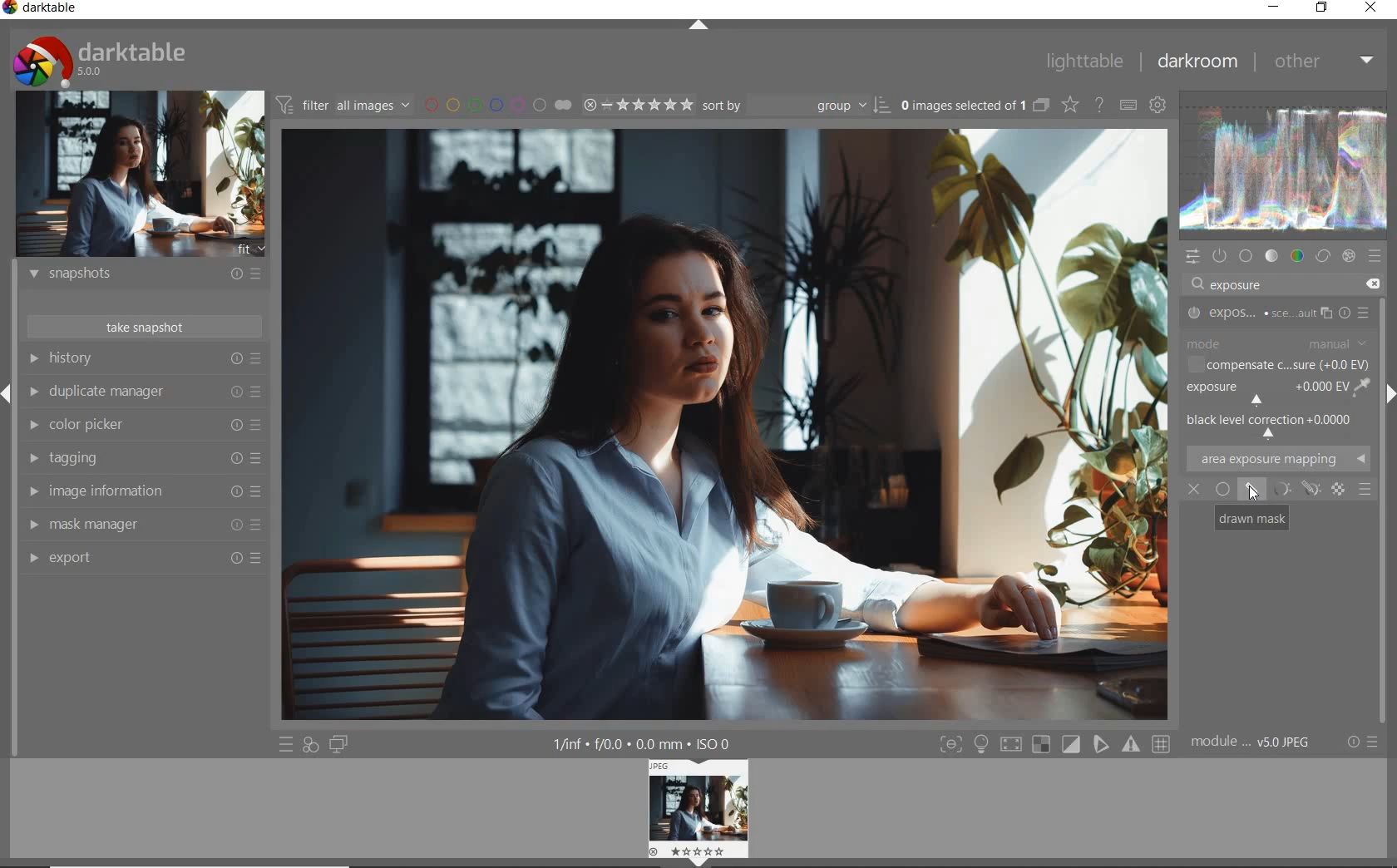  Describe the element at coordinates (309, 746) in the screenshot. I see `quick access for applying any of your styles` at that location.